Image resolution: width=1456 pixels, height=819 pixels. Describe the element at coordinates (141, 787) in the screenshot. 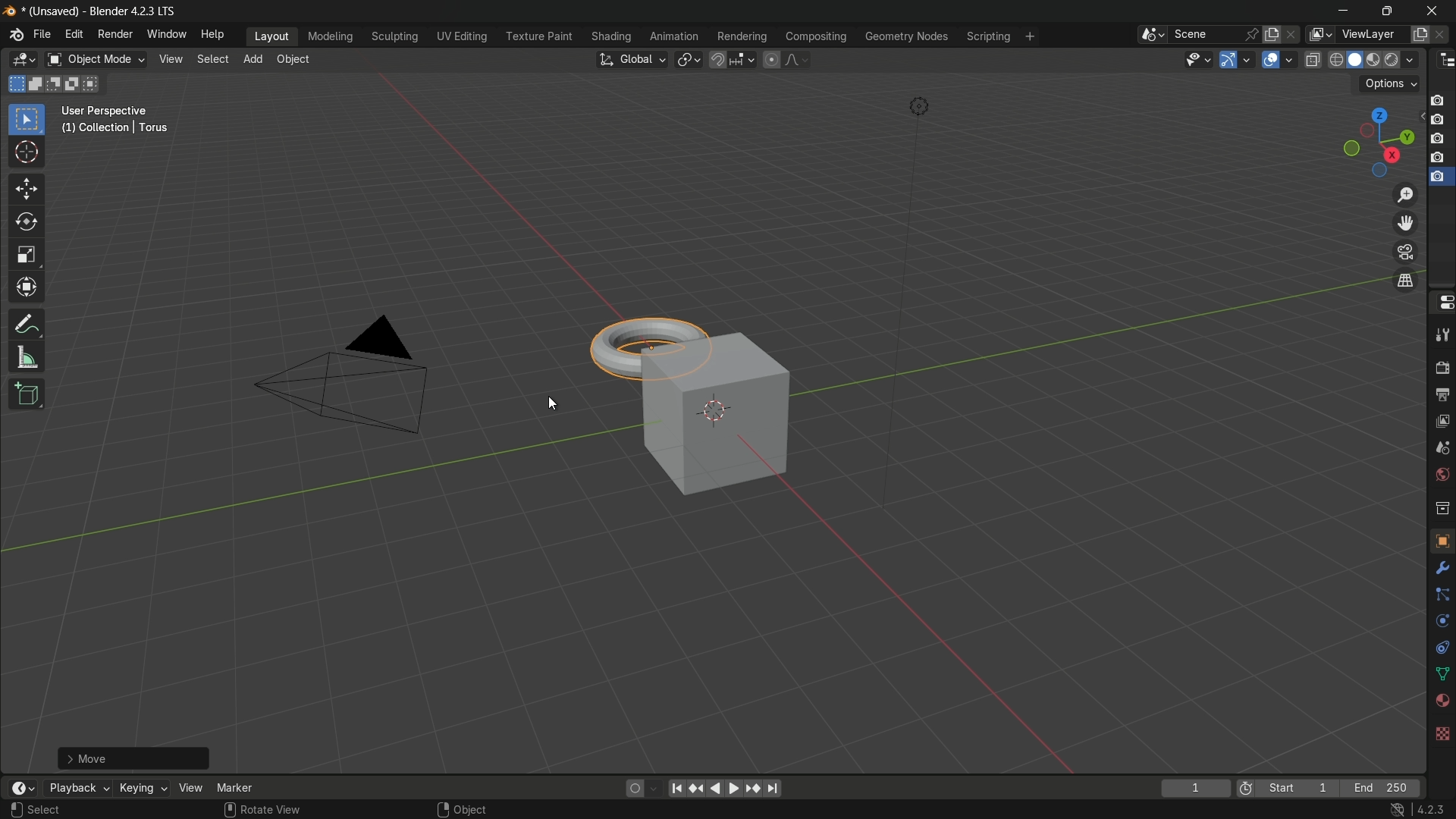

I see `keying` at that location.